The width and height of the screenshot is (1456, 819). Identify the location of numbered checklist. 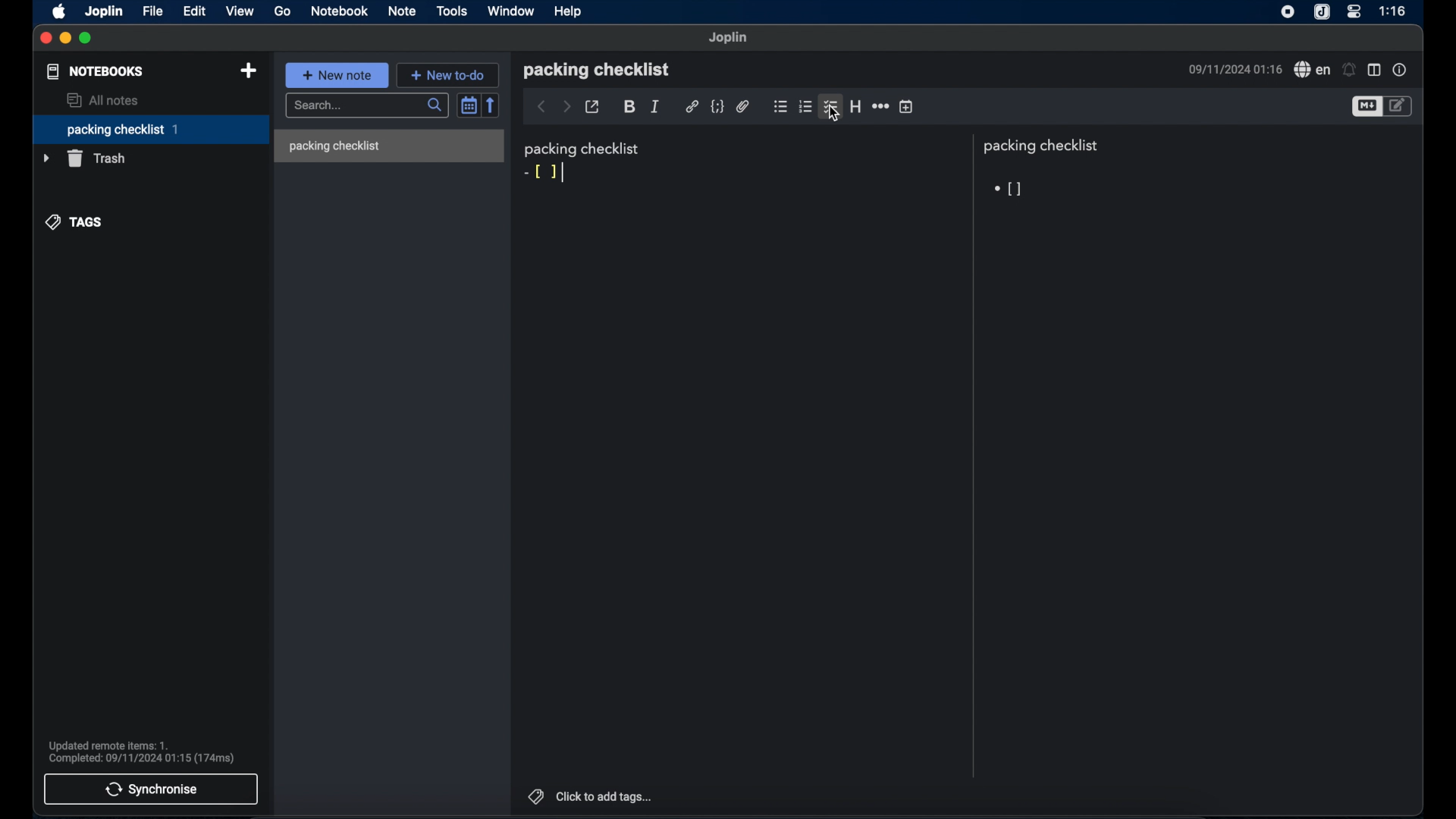
(806, 108).